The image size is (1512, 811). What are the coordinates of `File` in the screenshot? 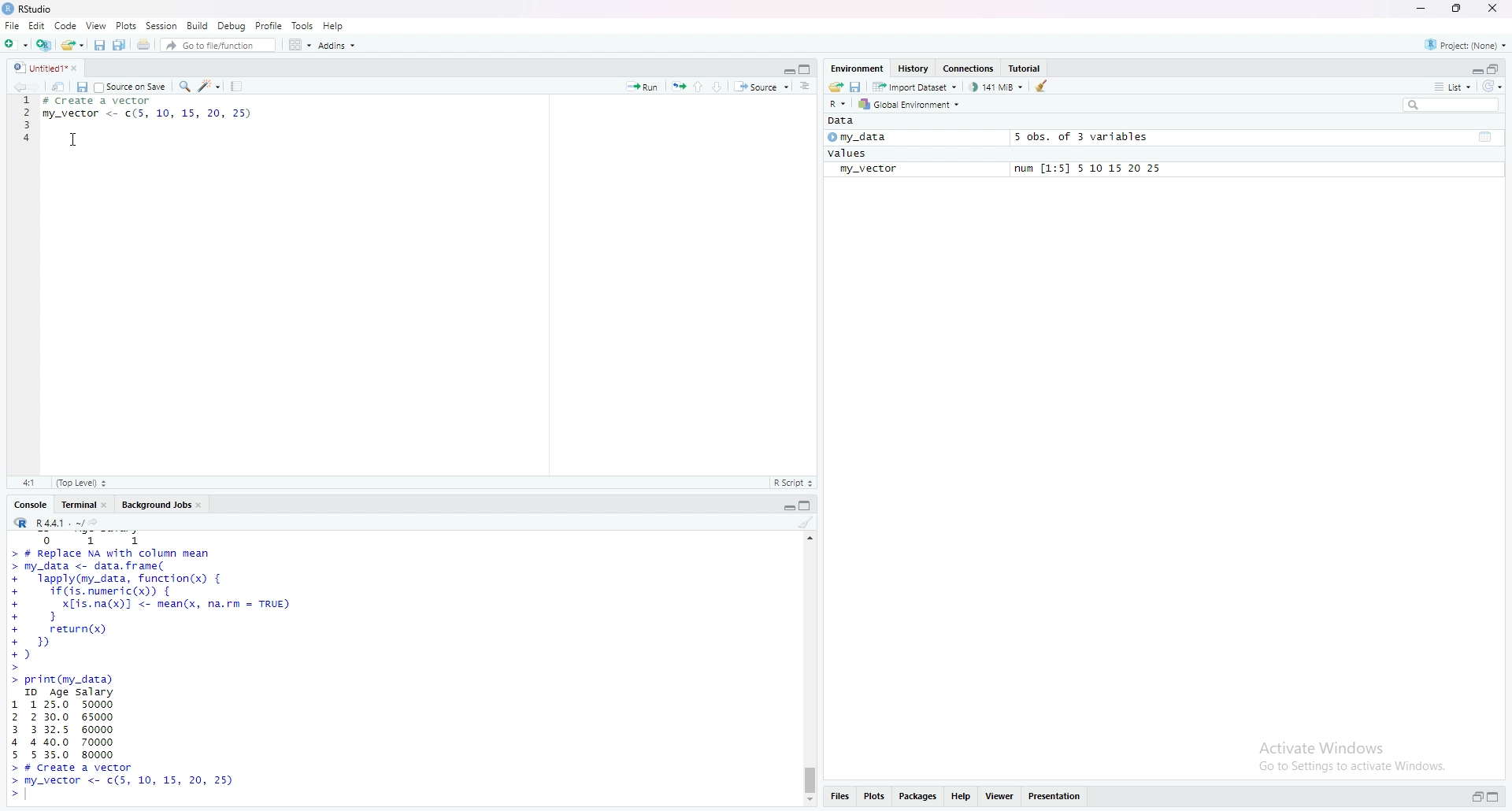 It's located at (10, 26).